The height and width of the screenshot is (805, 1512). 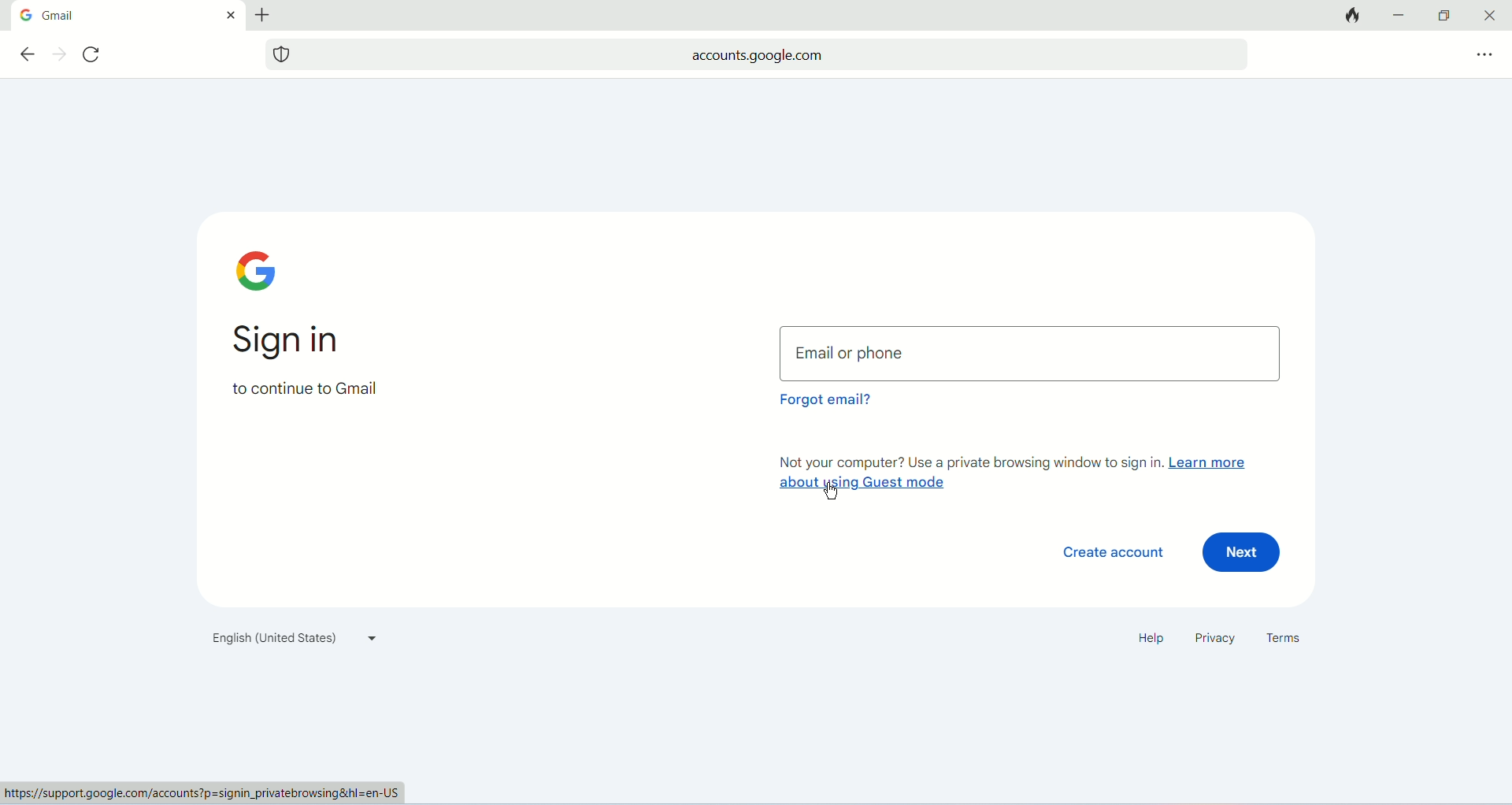 I want to click on close, so click(x=1492, y=14).